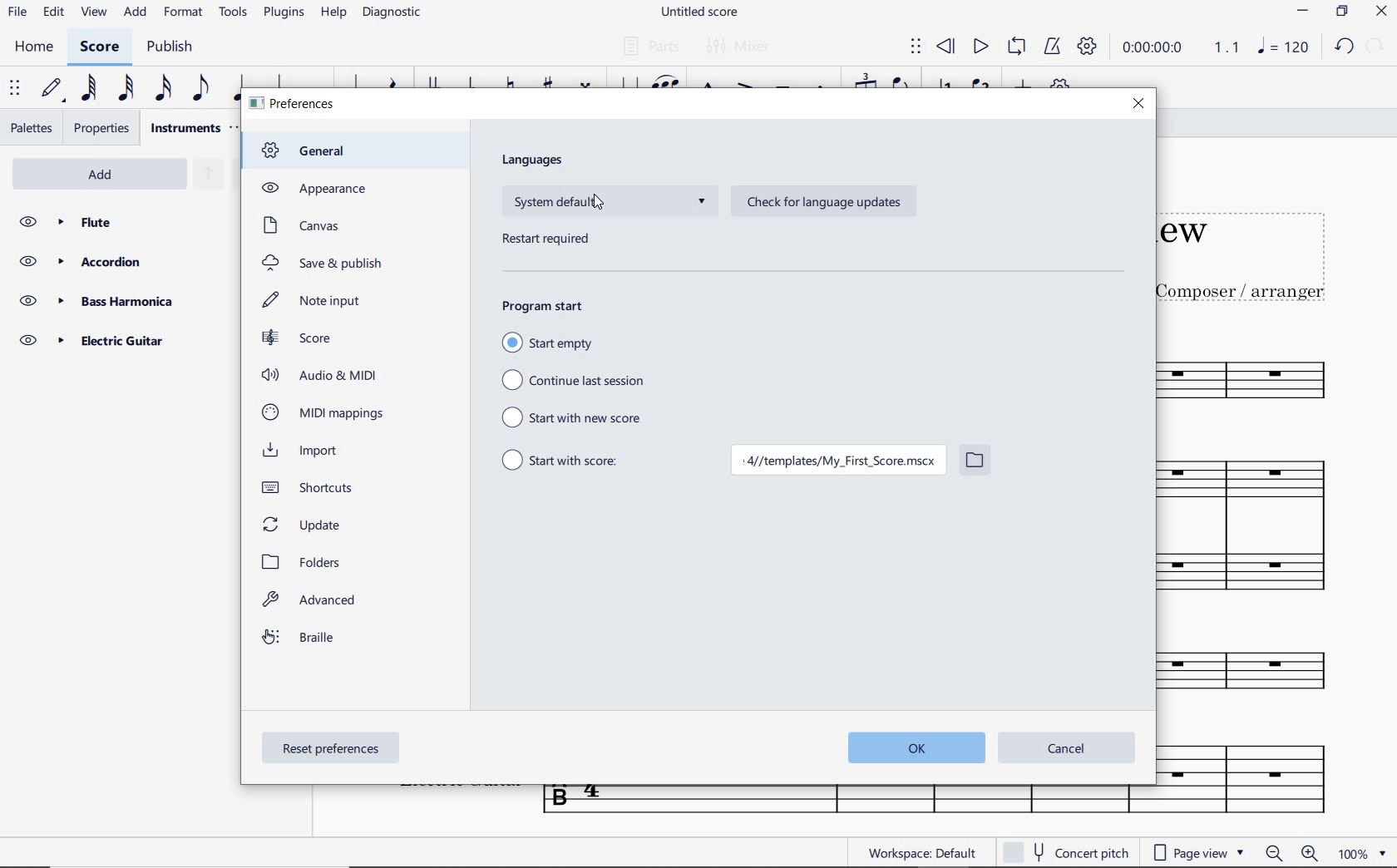 The width and height of the screenshot is (1397, 868). I want to click on home, so click(34, 47).